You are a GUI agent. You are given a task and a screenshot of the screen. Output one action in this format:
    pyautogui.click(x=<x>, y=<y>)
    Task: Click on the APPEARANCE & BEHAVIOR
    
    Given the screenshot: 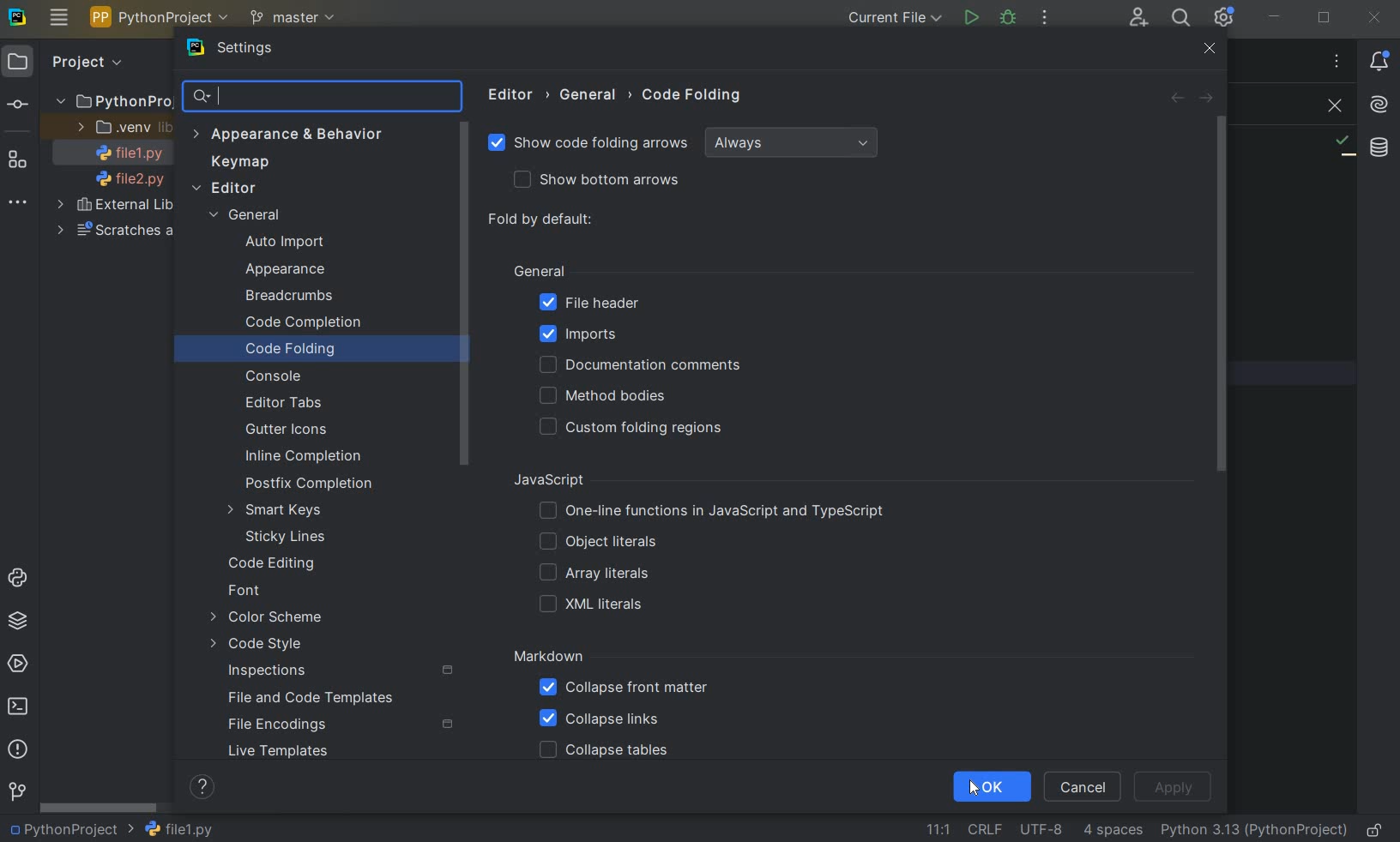 What is the action you would take?
    pyautogui.click(x=287, y=134)
    